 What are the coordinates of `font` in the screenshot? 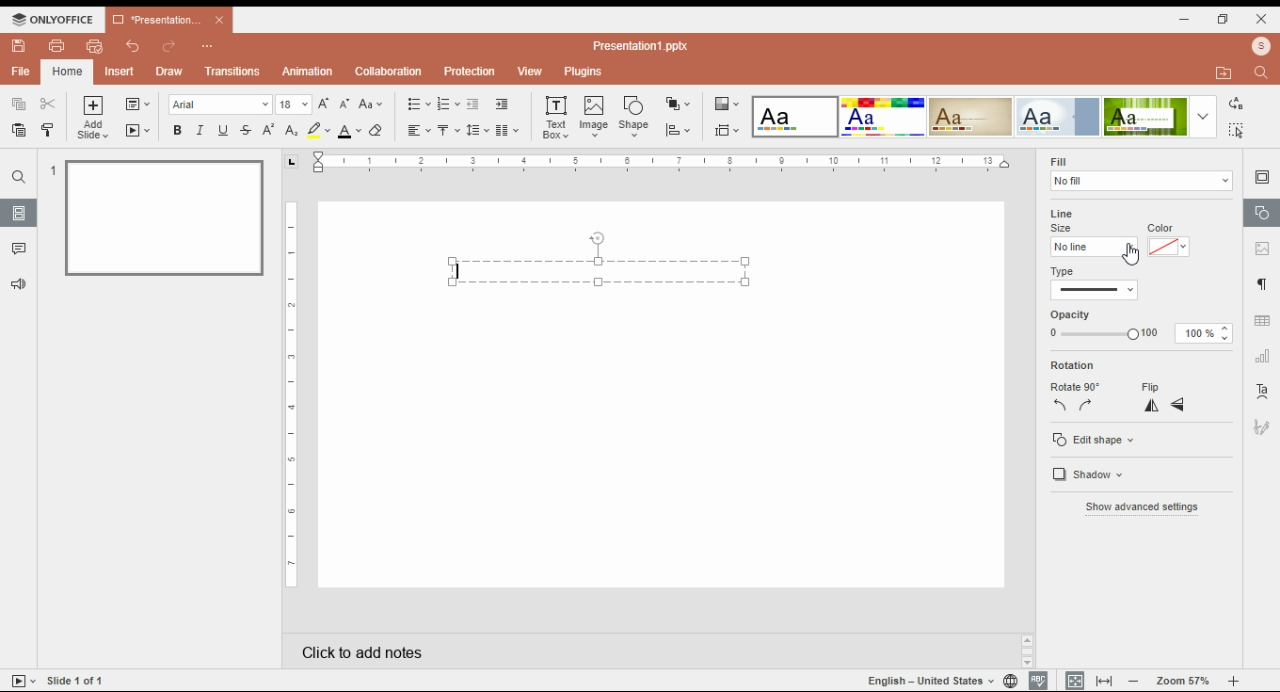 It's located at (220, 104).